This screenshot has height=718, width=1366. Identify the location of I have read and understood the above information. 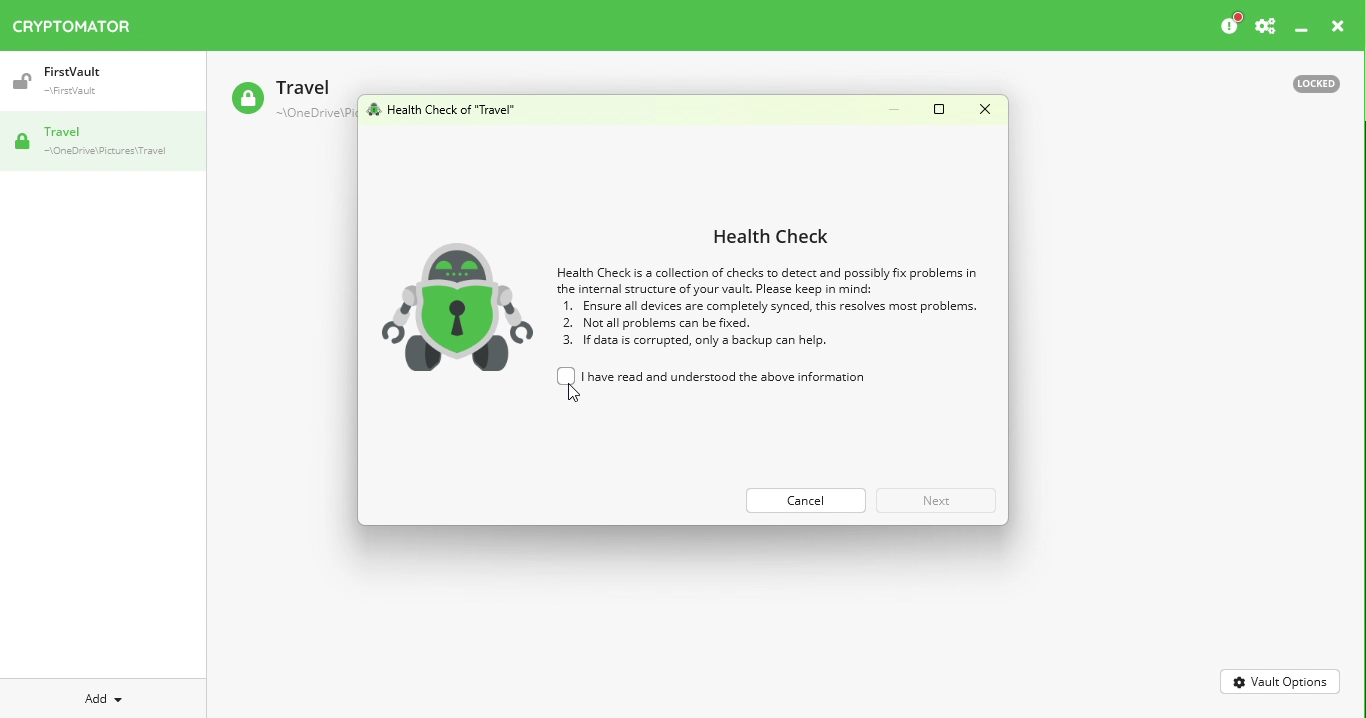
(729, 377).